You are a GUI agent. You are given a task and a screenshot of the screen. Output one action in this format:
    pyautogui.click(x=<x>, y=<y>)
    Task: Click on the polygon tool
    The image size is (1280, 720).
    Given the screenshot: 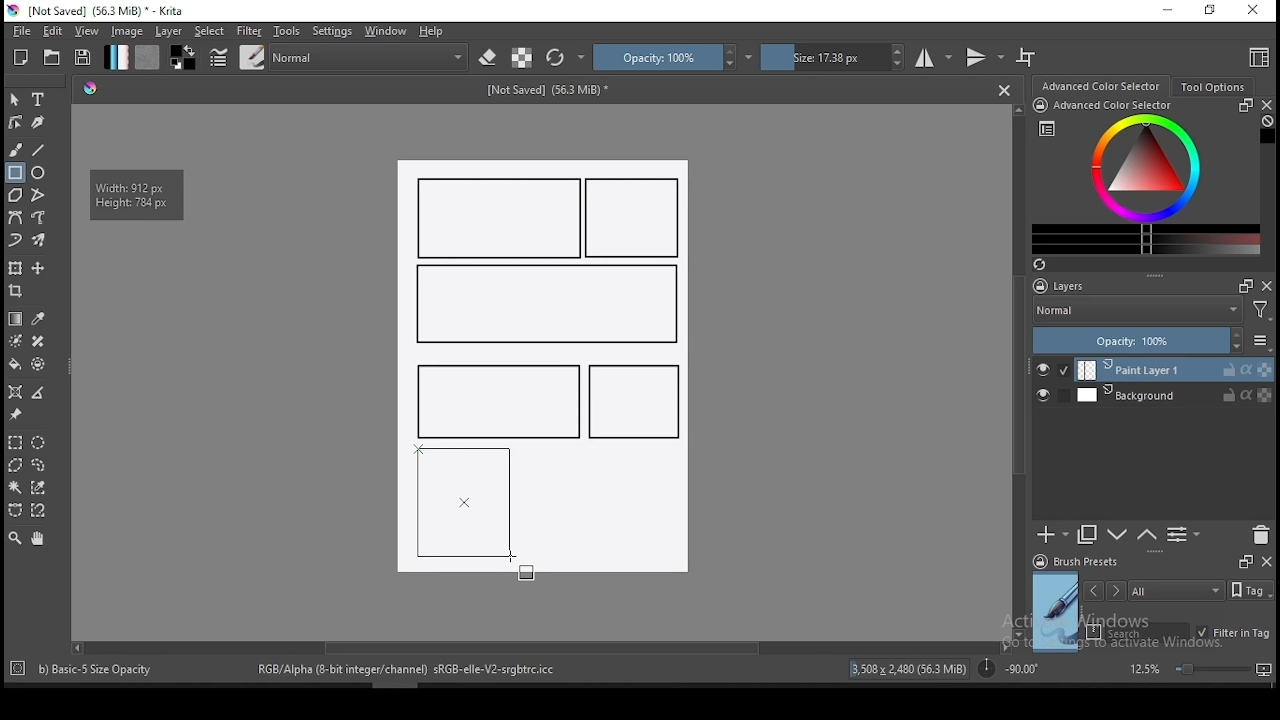 What is the action you would take?
    pyautogui.click(x=14, y=195)
    